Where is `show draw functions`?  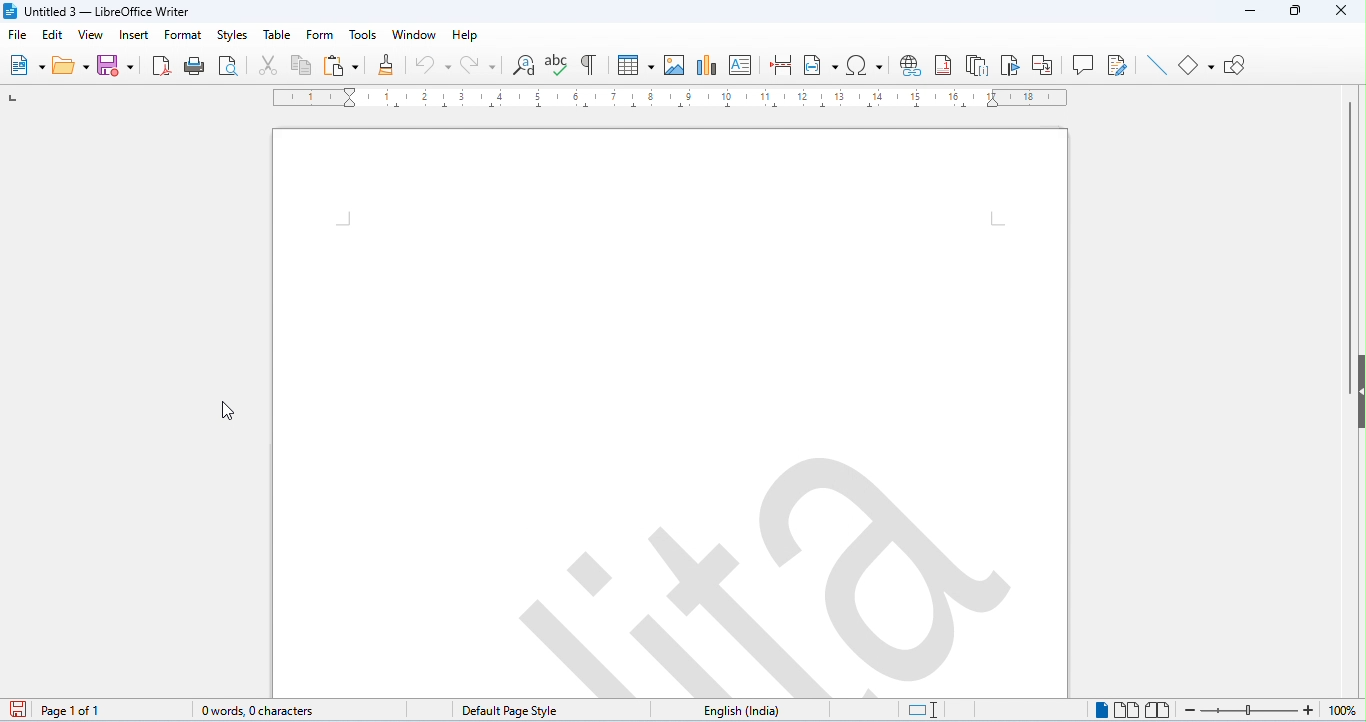
show draw functions is located at coordinates (1236, 67).